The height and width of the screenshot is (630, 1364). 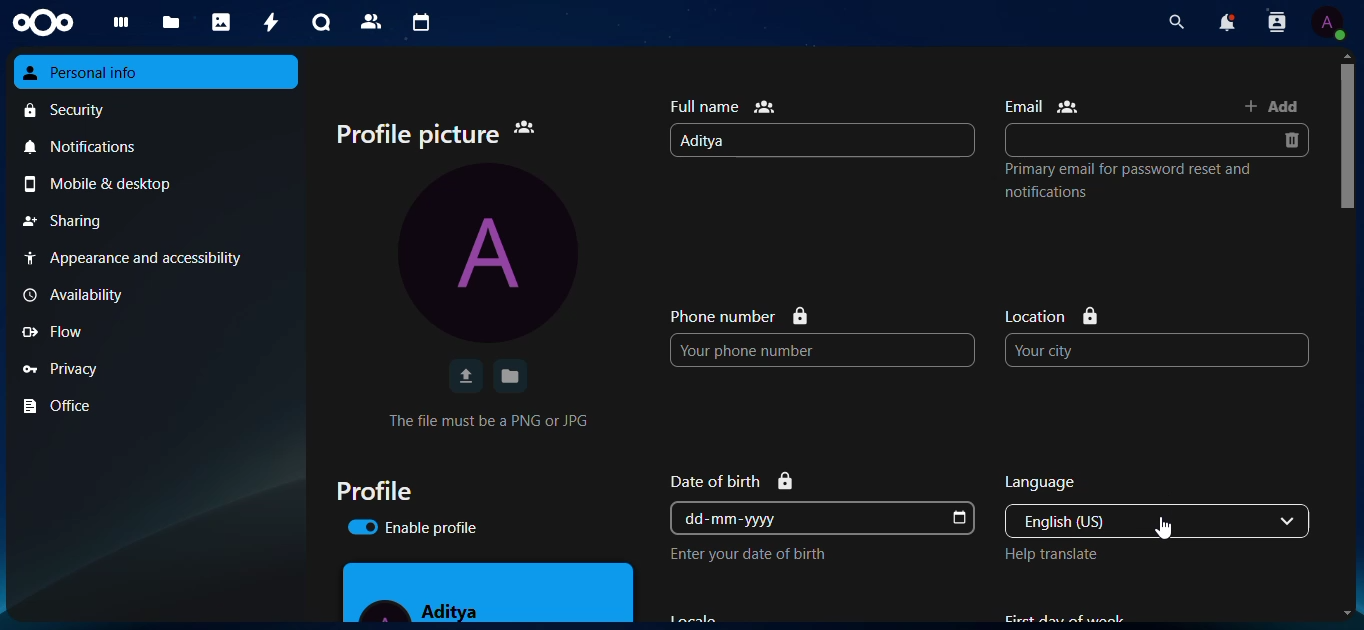 What do you see at coordinates (1169, 530) in the screenshot?
I see `cursor` at bounding box center [1169, 530].